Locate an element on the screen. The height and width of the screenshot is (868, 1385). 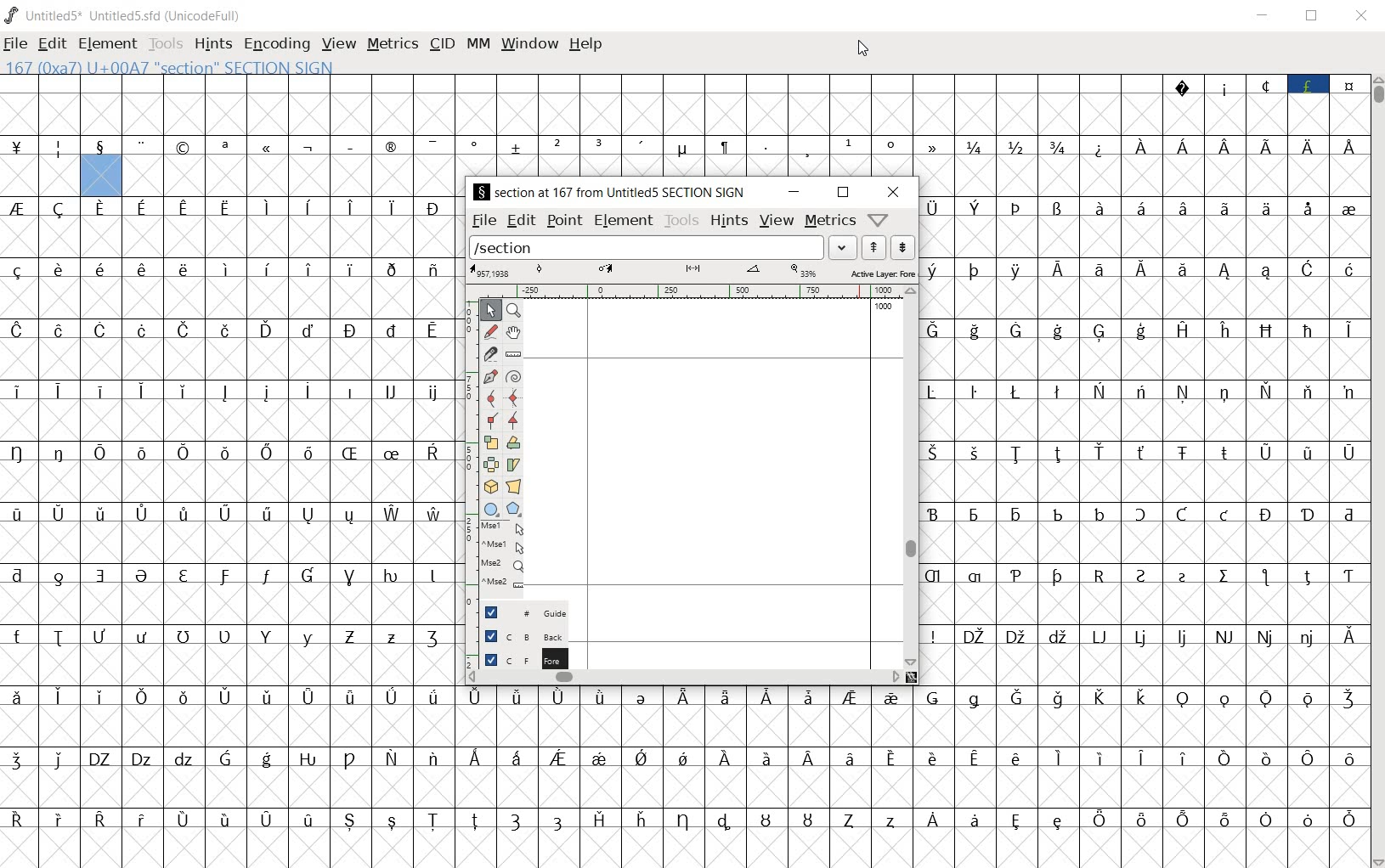
RESTORE DOWN is located at coordinates (1312, 17).